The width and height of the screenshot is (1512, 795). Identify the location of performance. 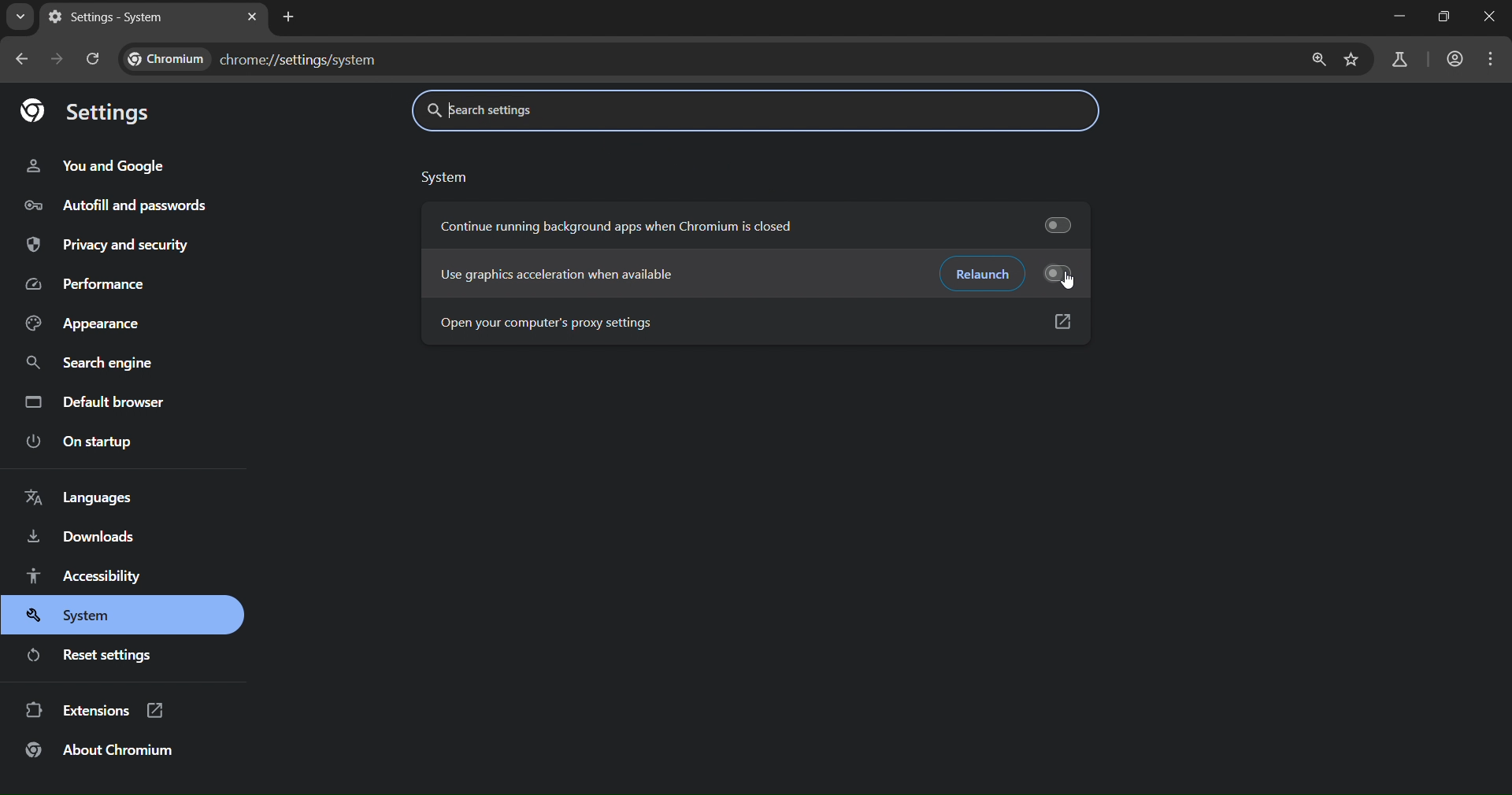
(87, 284).